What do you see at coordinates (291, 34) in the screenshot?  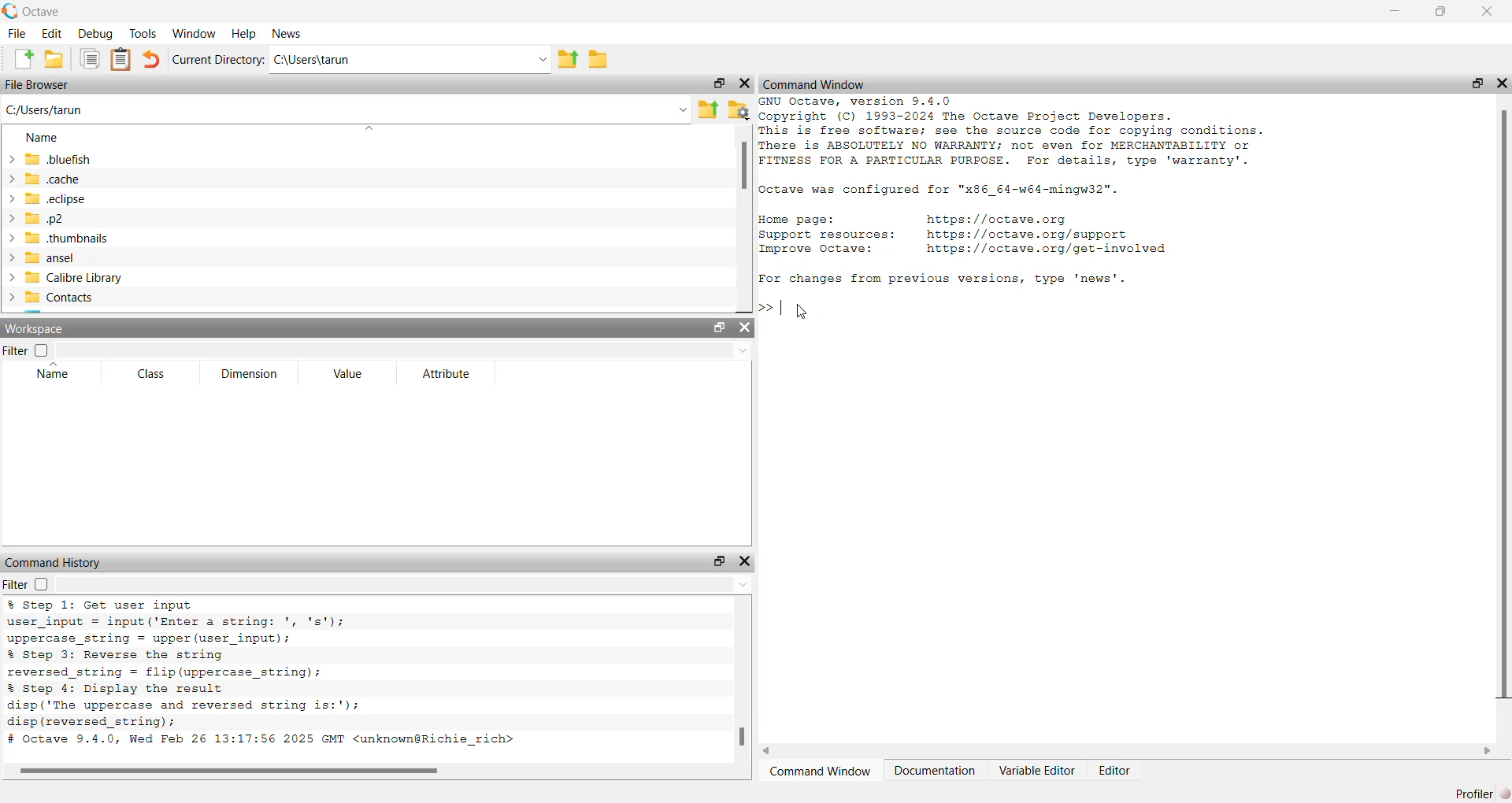 I see `news` at bounding box center [291, 34].